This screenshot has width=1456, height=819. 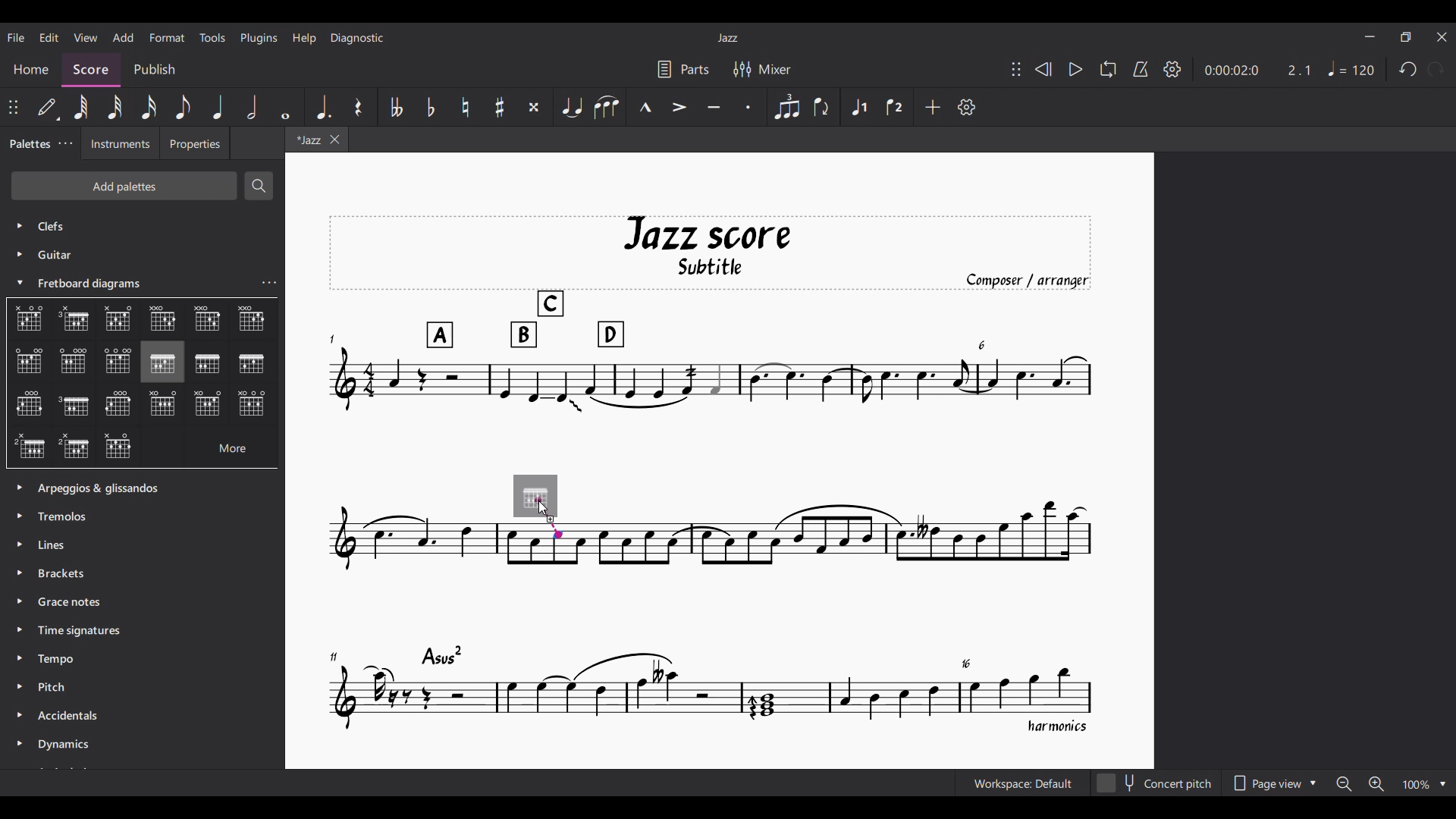 What do you see at coordinates (195, 144) in the screenshot?
I see `Properties` at bounding box center [195, 144].